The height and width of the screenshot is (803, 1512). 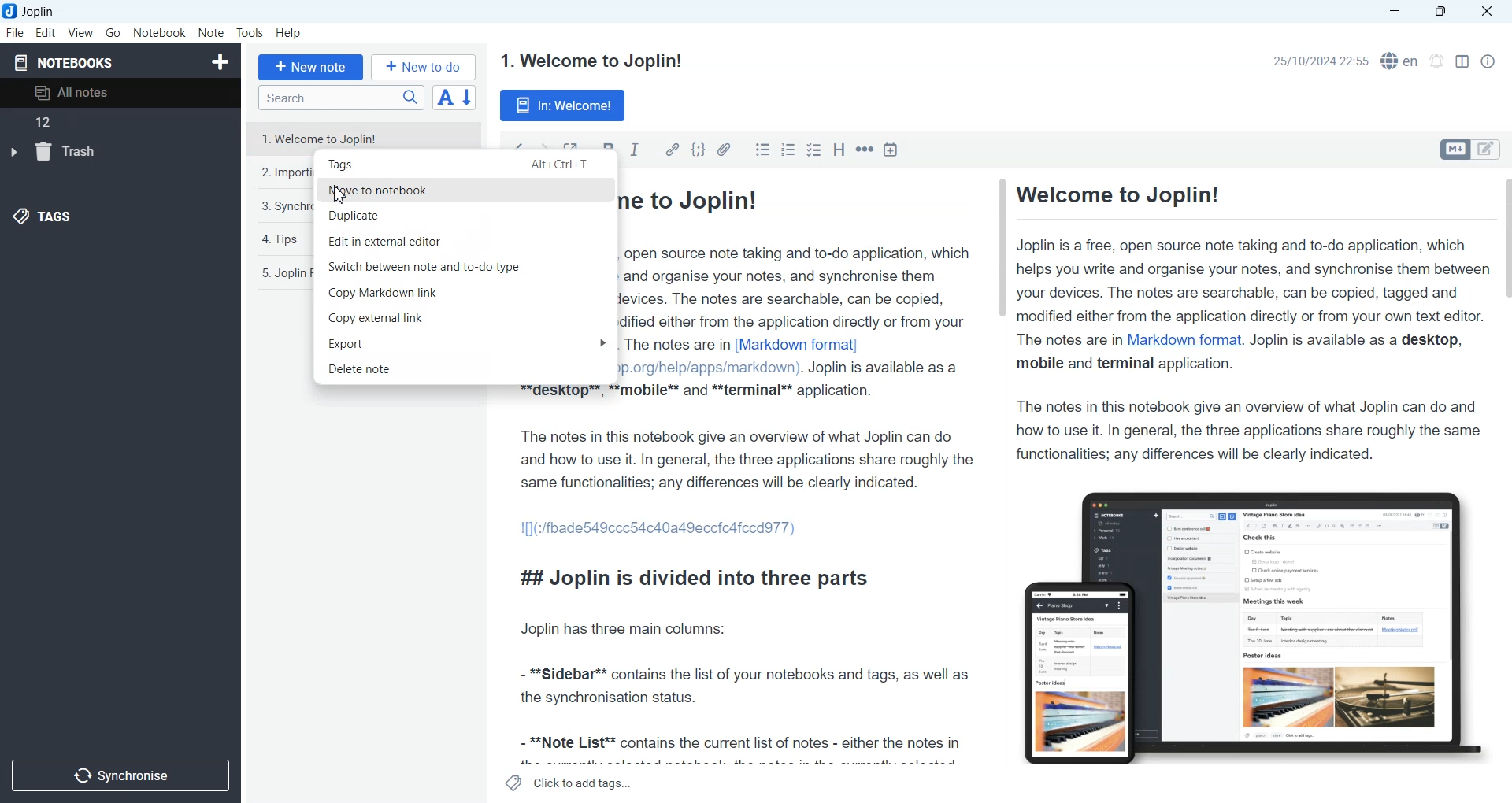 I want to click on Export, so click(x=466, y=344).